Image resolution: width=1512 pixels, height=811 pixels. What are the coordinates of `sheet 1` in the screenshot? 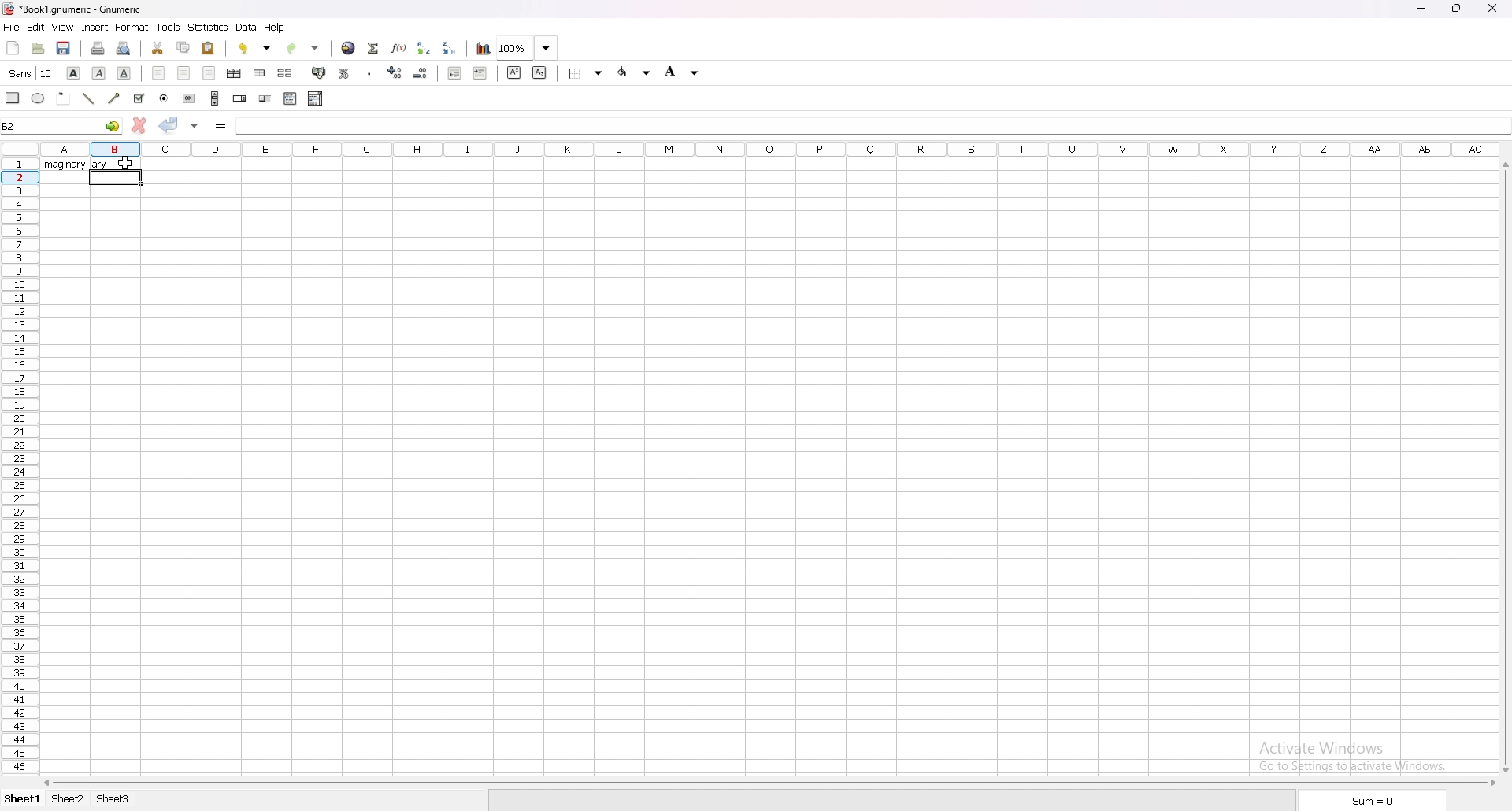 It's located at (23, 801).